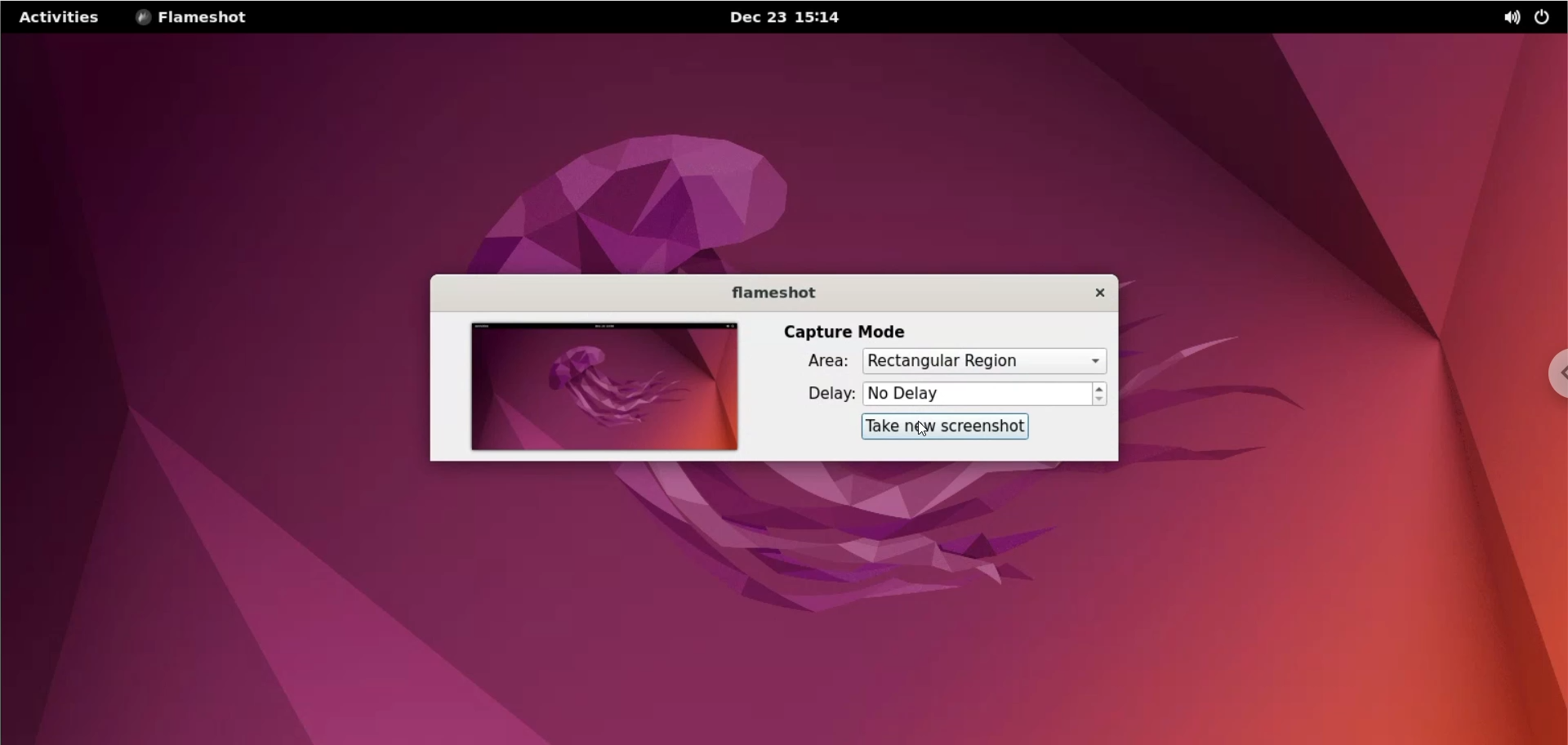 The width and height of the screenshot is (1568, 745). What do you see at coordinates (1090, 294) in the screenshot?
I see `close` at bounding box center [1090, 294].